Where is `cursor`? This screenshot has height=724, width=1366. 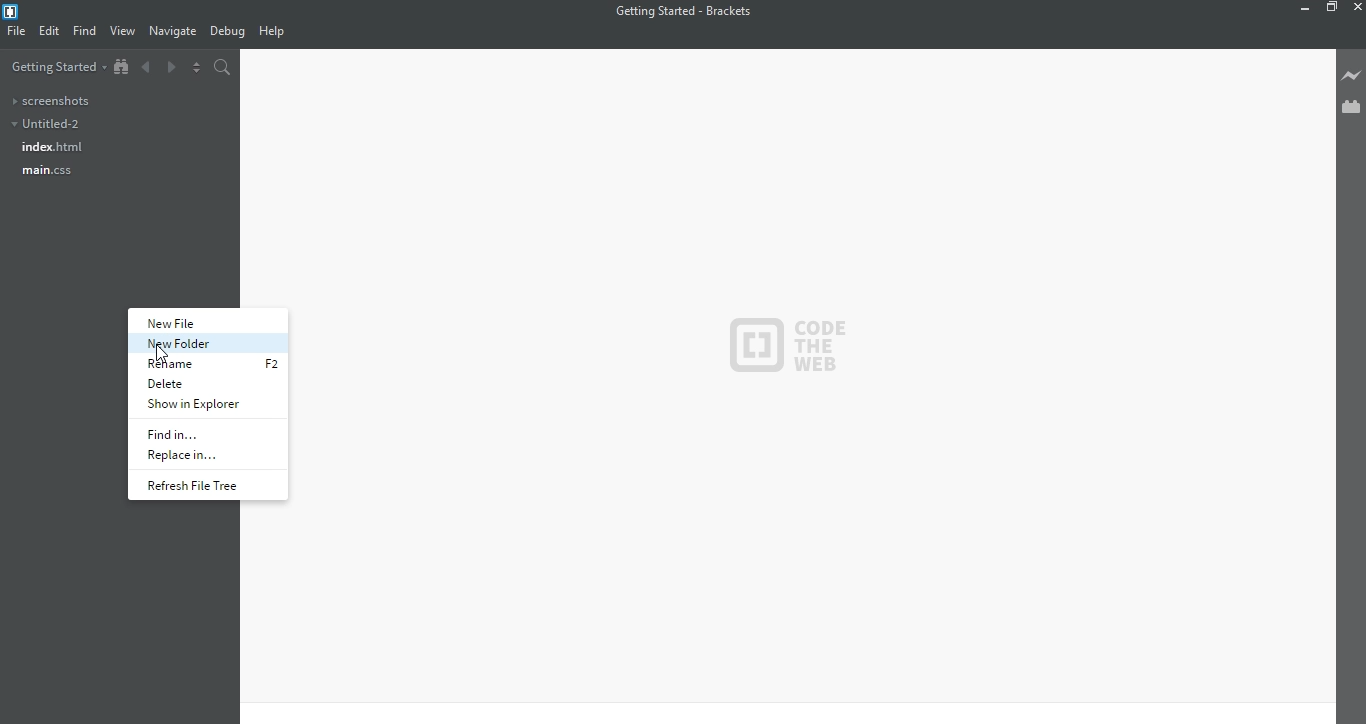 cursor is located at coordinates (272, 368).